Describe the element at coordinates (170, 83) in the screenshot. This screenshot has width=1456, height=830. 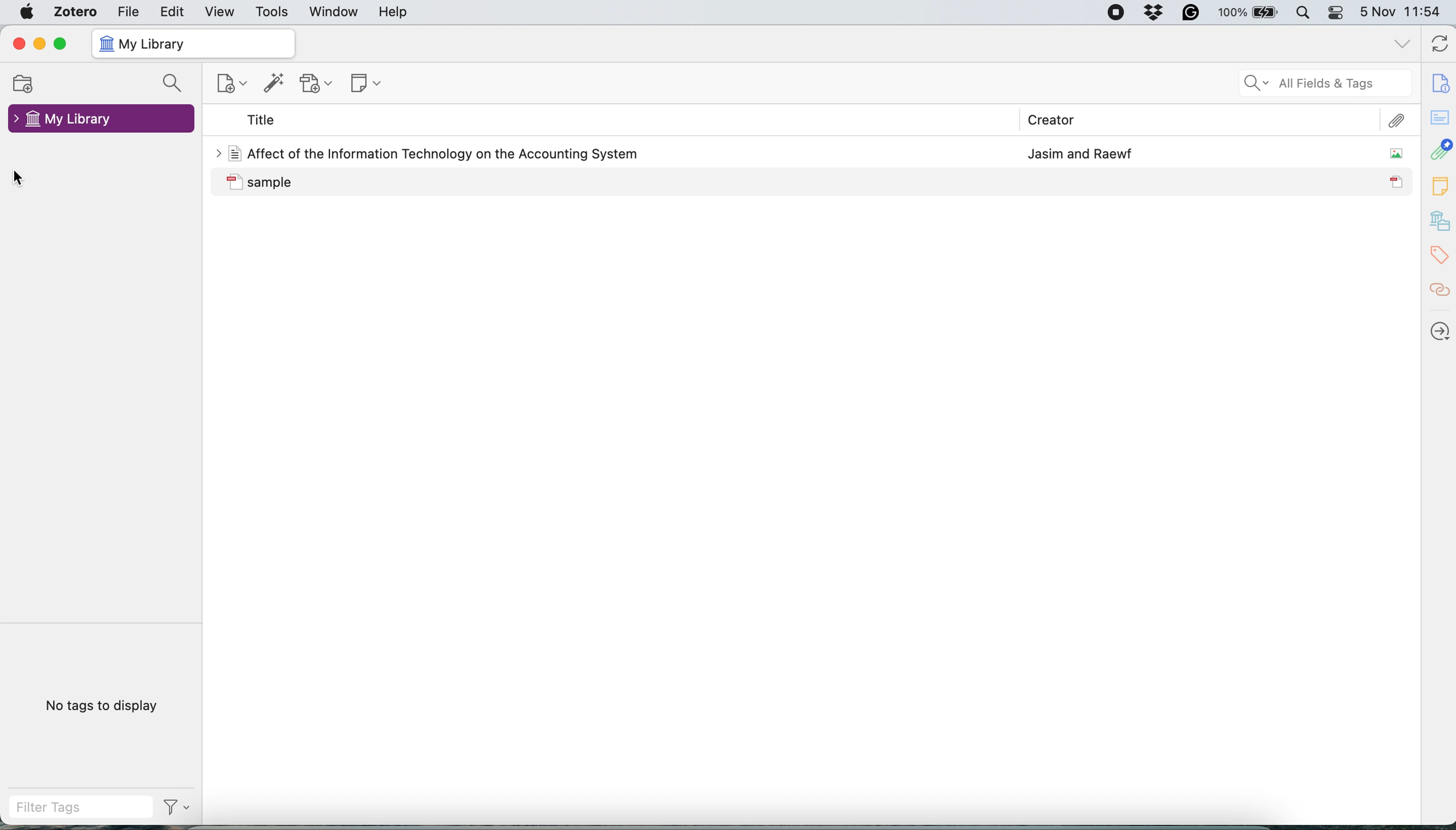
I see `search` at that location.